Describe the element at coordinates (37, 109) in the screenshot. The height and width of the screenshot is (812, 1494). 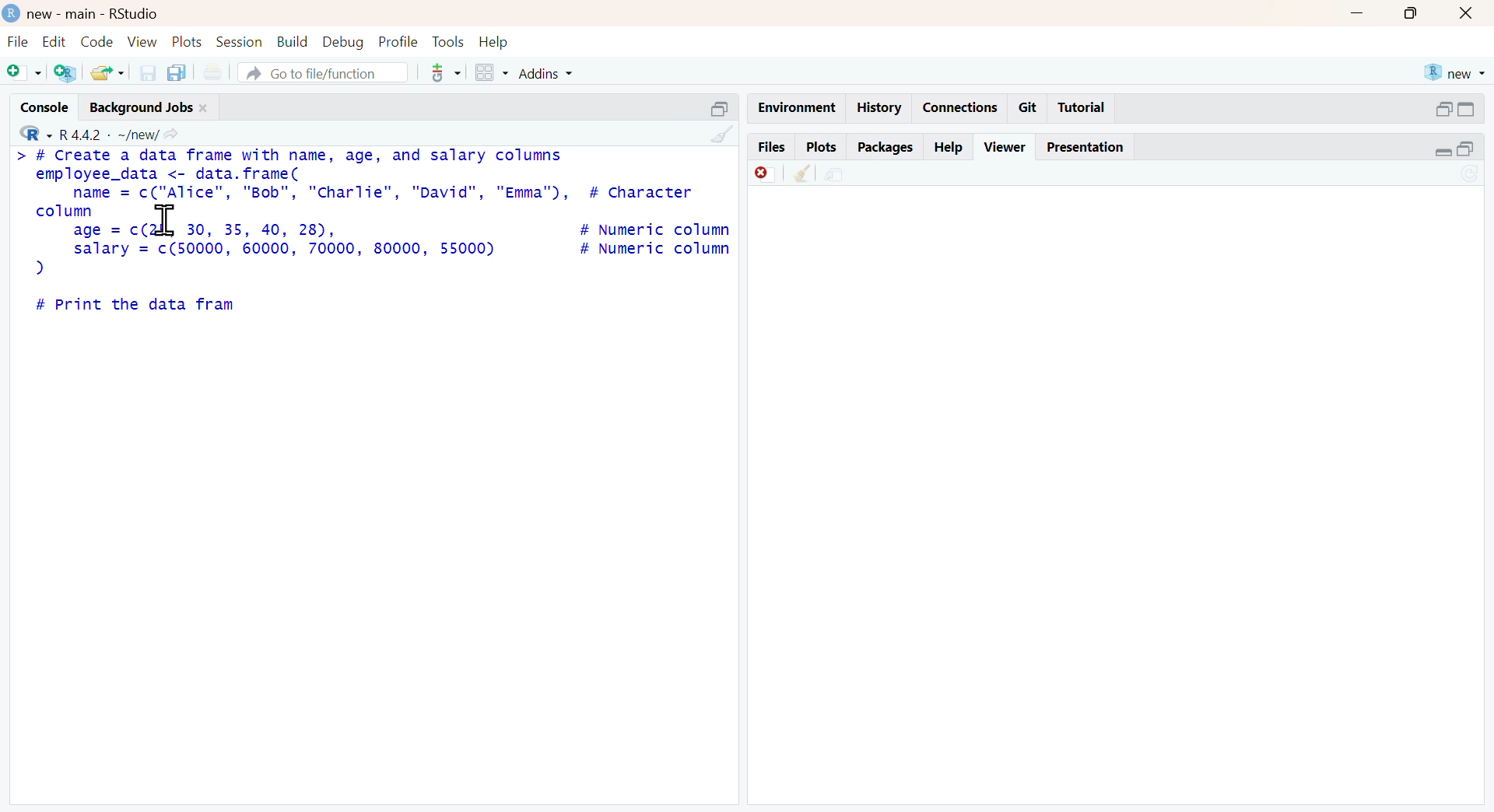
I see `Console` at that location.